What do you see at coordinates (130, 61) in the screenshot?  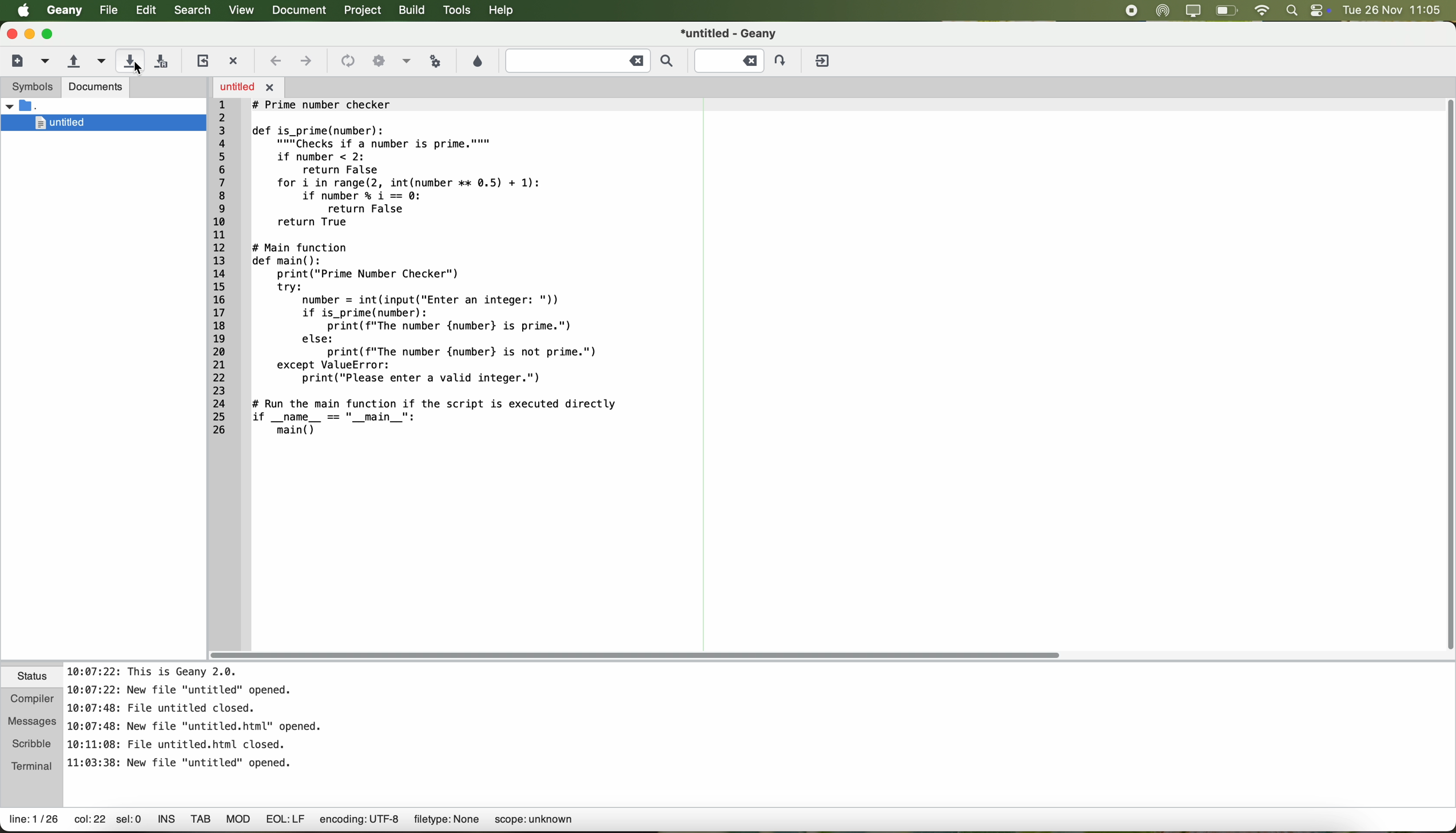 I see `click on save the current file` at bounding box center [130, 61].